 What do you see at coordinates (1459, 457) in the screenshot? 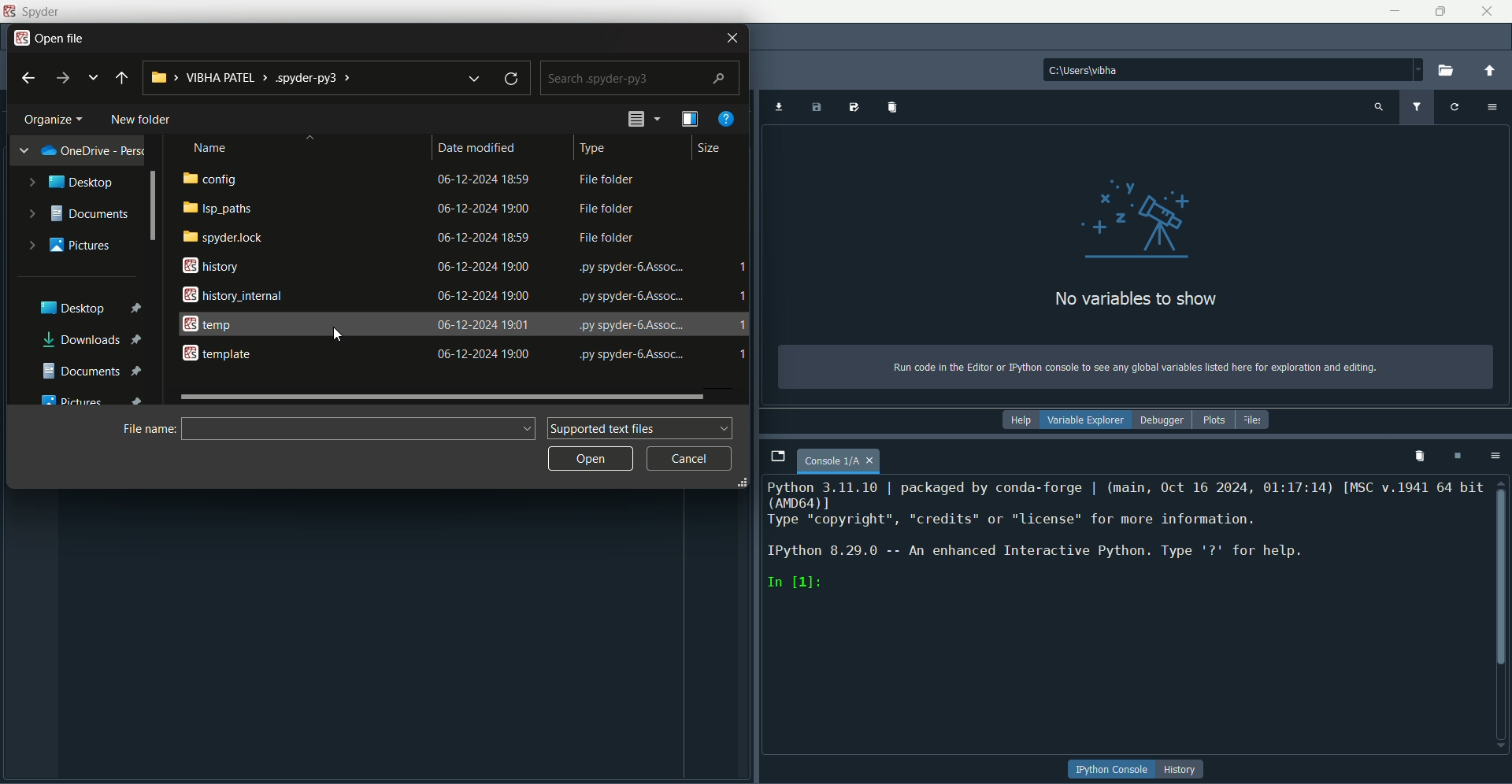
I see `interrupt kernel` at bounding box center [1459, 457].